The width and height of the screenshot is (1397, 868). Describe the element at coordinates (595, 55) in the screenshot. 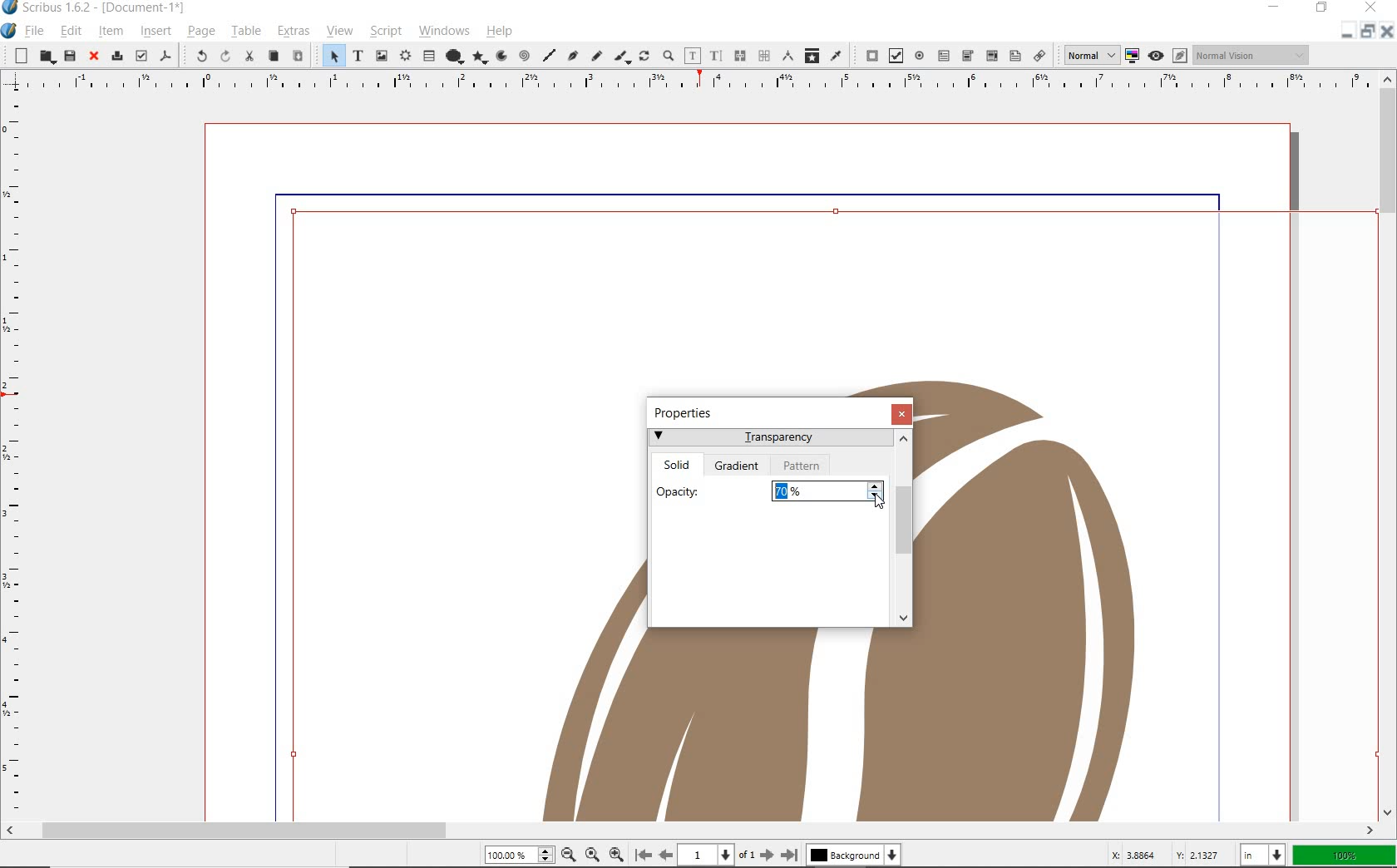

I see `freehand line` at that location.